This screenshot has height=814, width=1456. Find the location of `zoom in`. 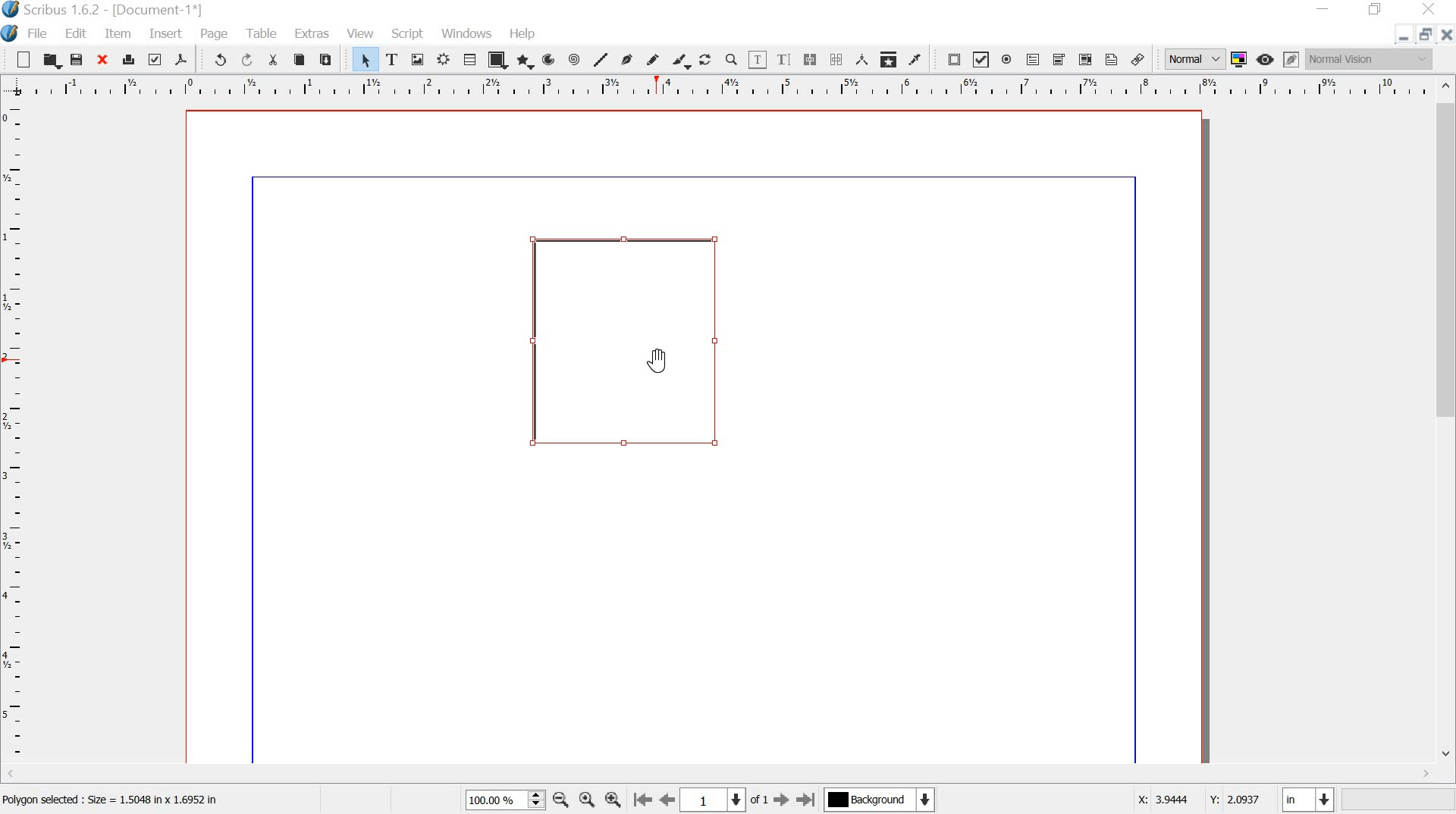

zoom in is located at coordinates (614, 798).